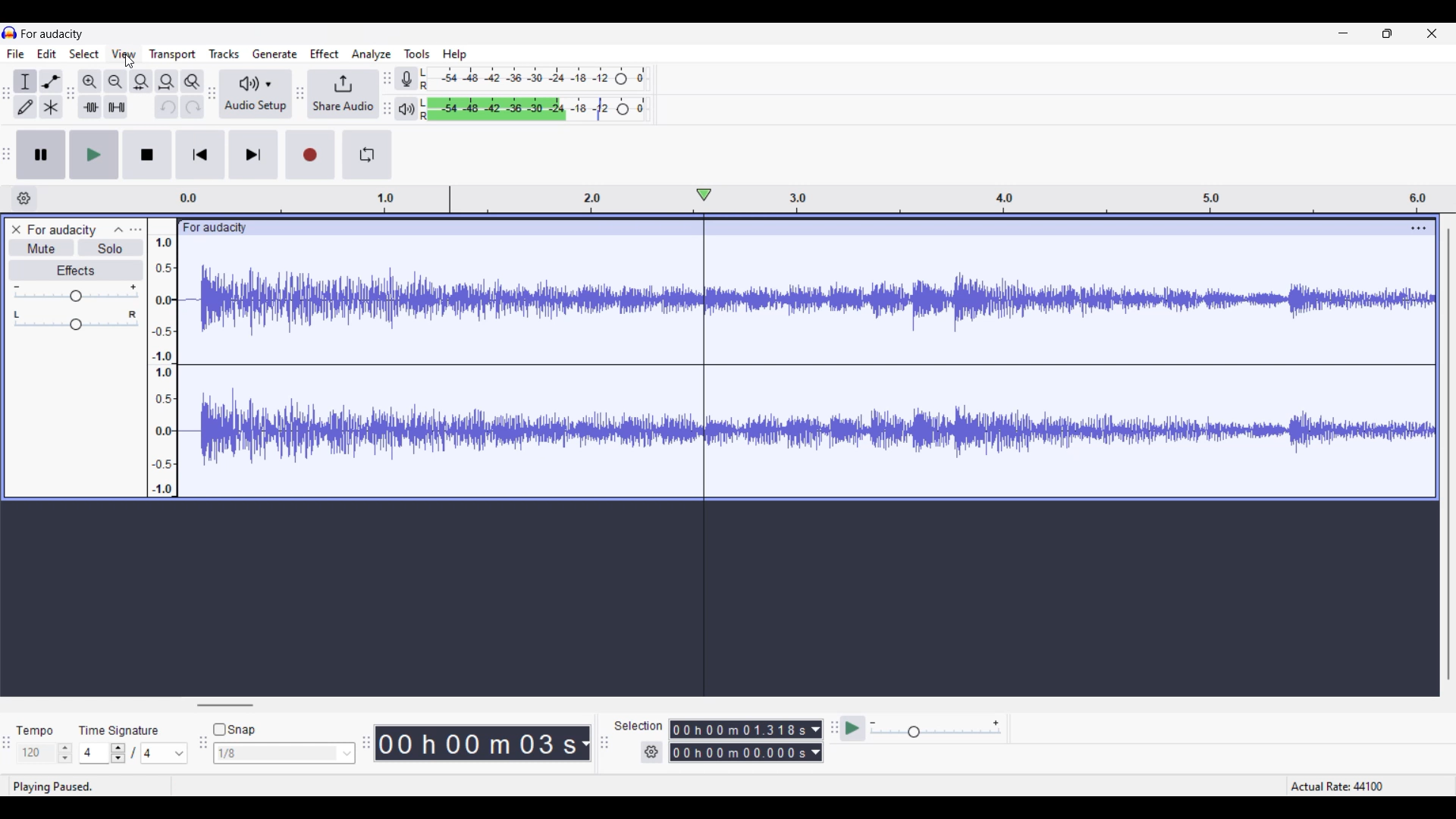  I want to click on Time signature settings, so click(133, 752).